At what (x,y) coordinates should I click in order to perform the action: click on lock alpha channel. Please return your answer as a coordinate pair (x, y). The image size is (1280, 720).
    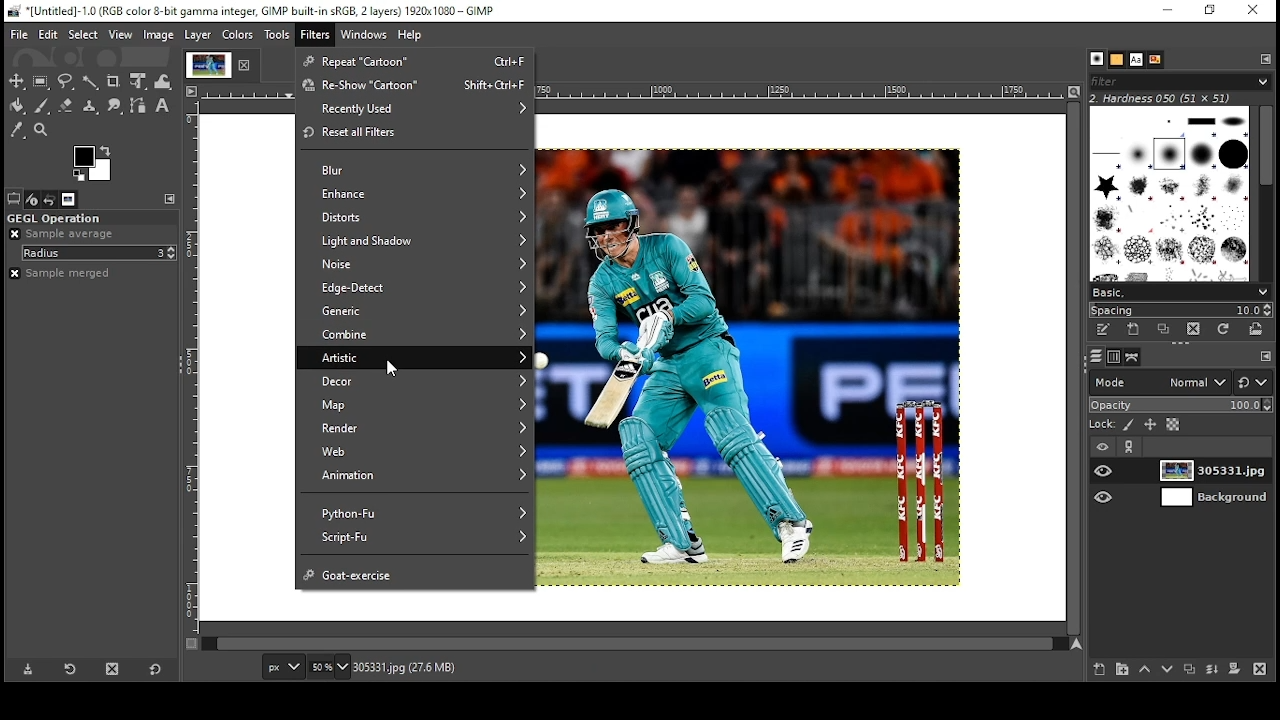
    Looking at the image, I should click on (1173, 425).